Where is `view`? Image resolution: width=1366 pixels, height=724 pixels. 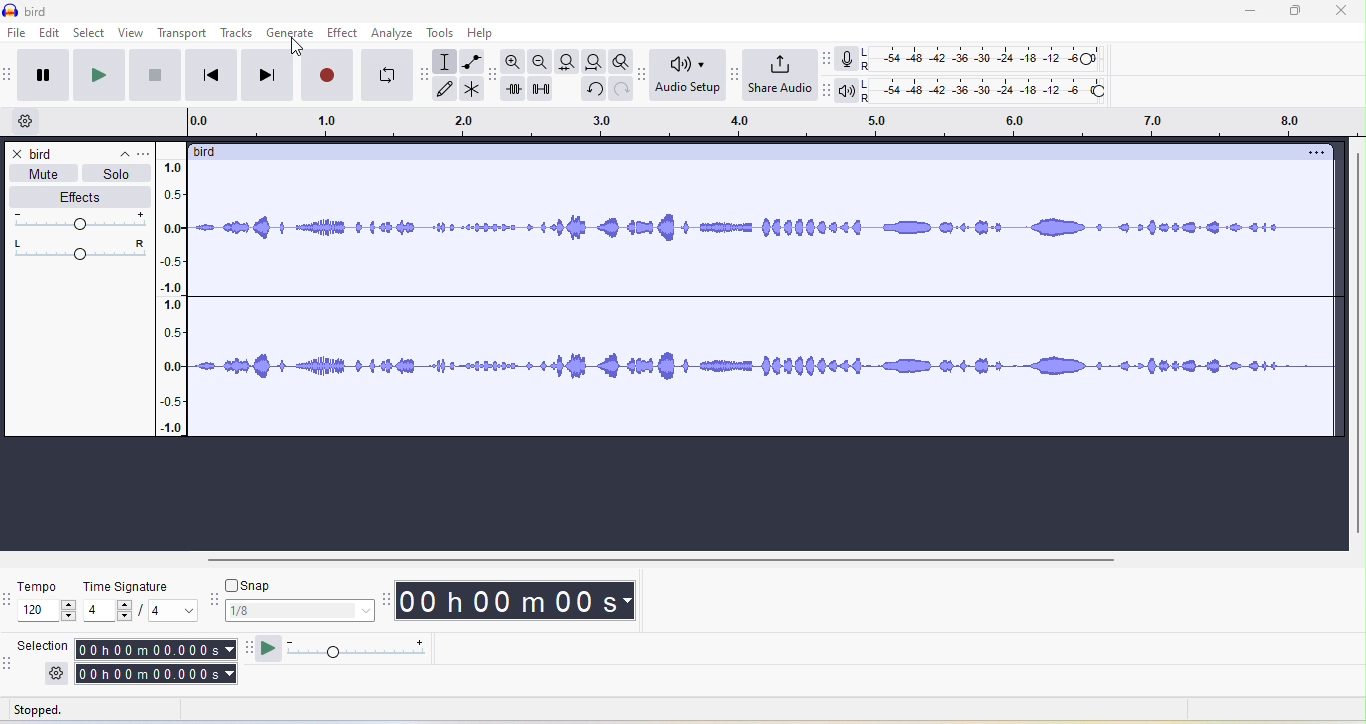
view is located at coordinates (133, 35).